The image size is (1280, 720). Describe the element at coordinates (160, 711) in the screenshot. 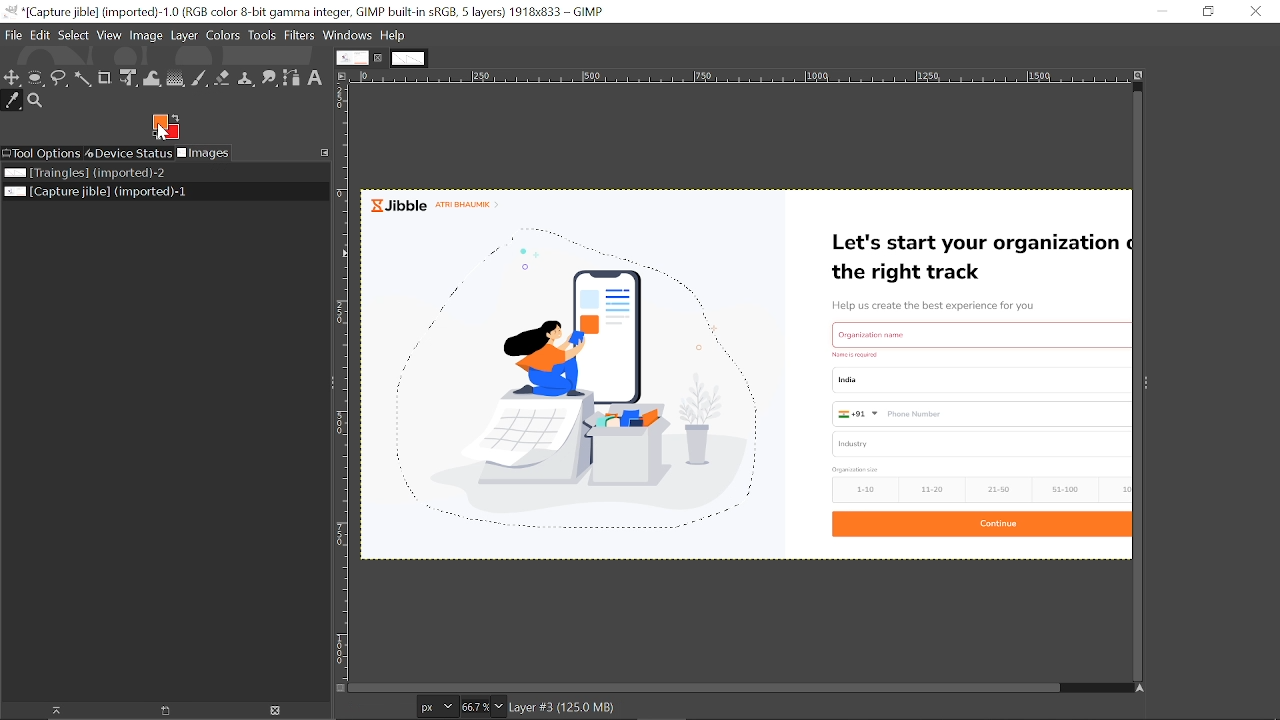

I see `Create a new display for this image` at that location.